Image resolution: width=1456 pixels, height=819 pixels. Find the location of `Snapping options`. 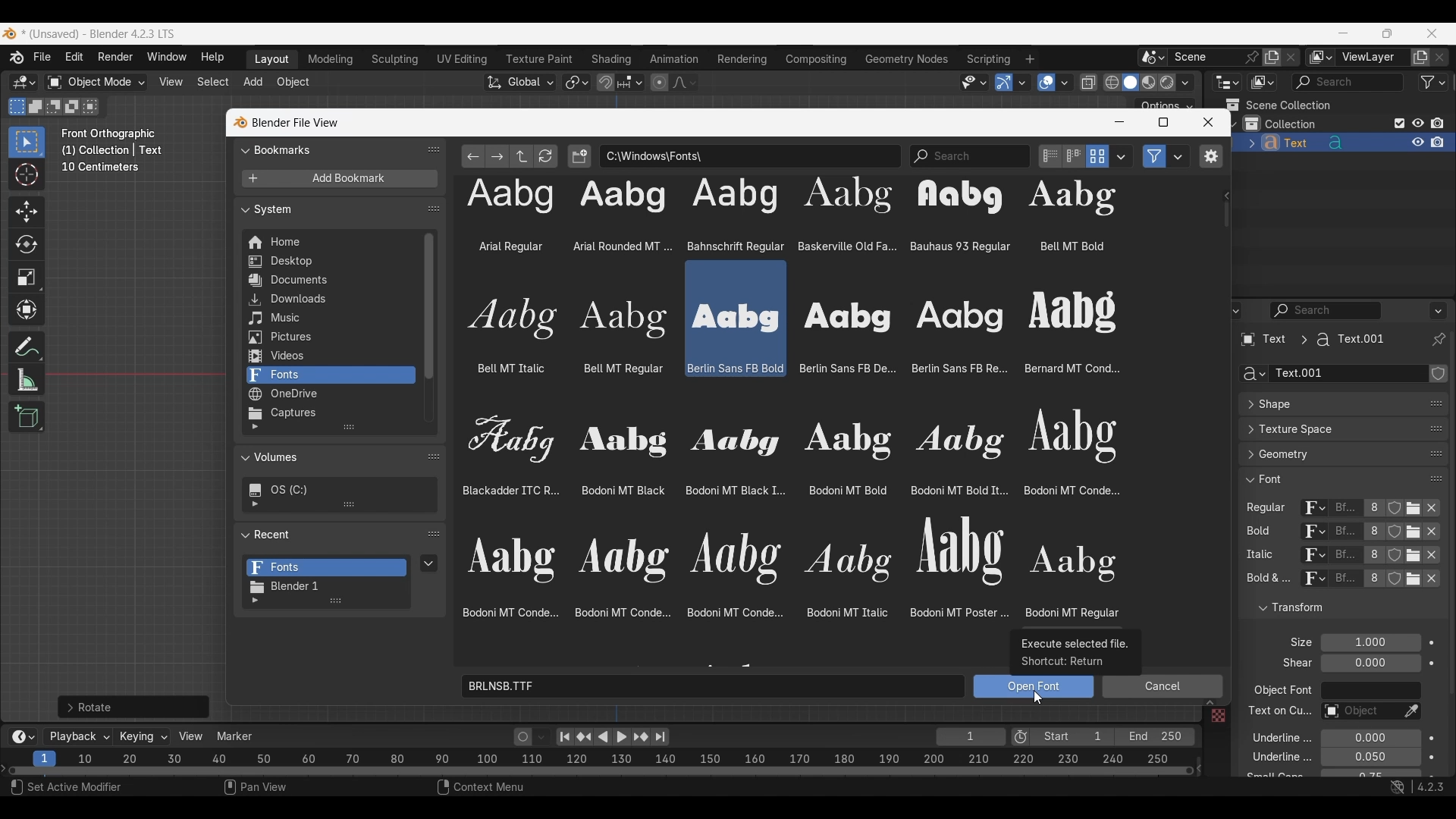

Snapping options is located at coordinates (632, 82).